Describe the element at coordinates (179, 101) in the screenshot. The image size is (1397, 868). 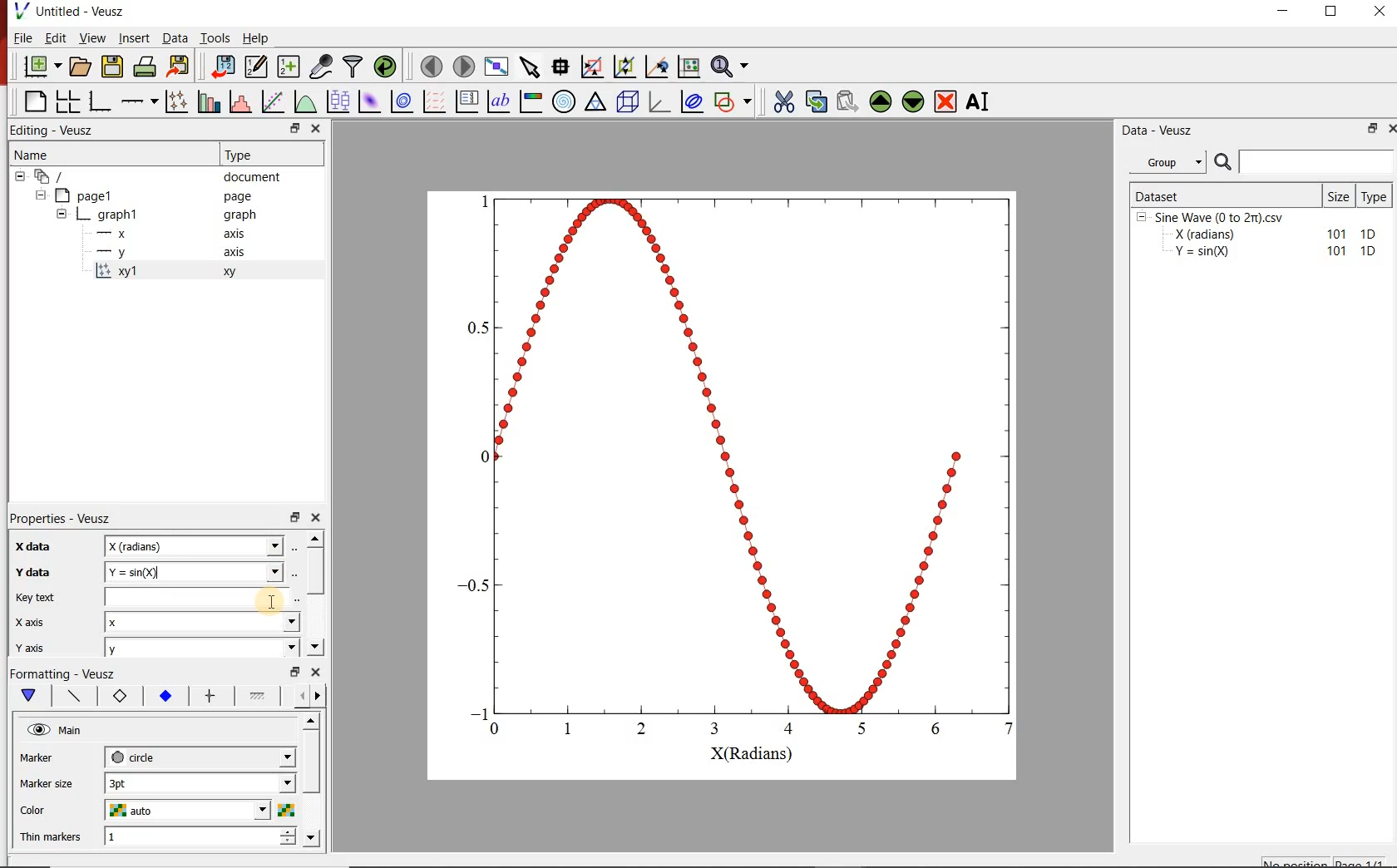
I see `plot points` at that location.